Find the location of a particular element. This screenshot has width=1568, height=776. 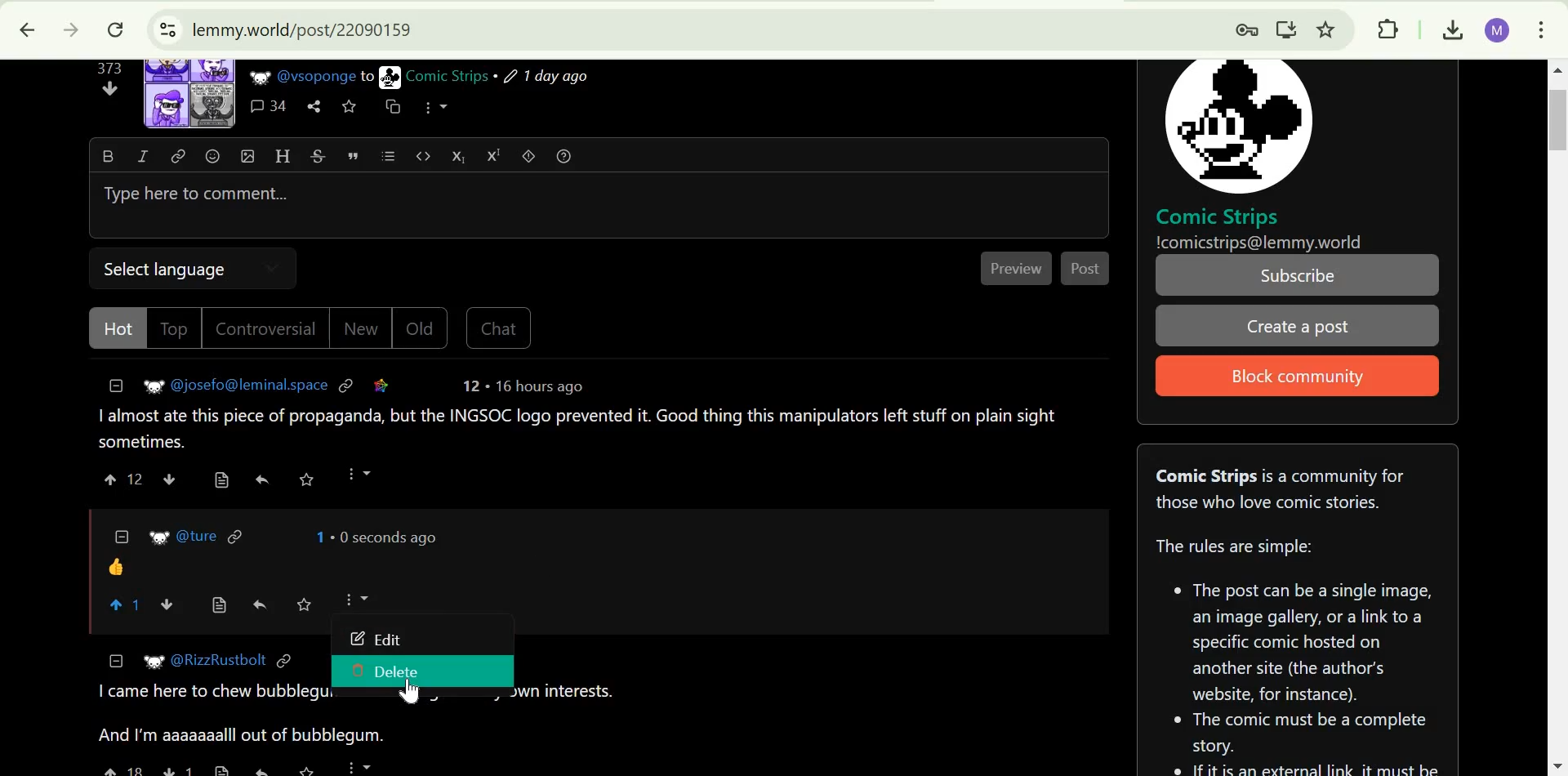

Preview is located at coordinates (1018, 269).